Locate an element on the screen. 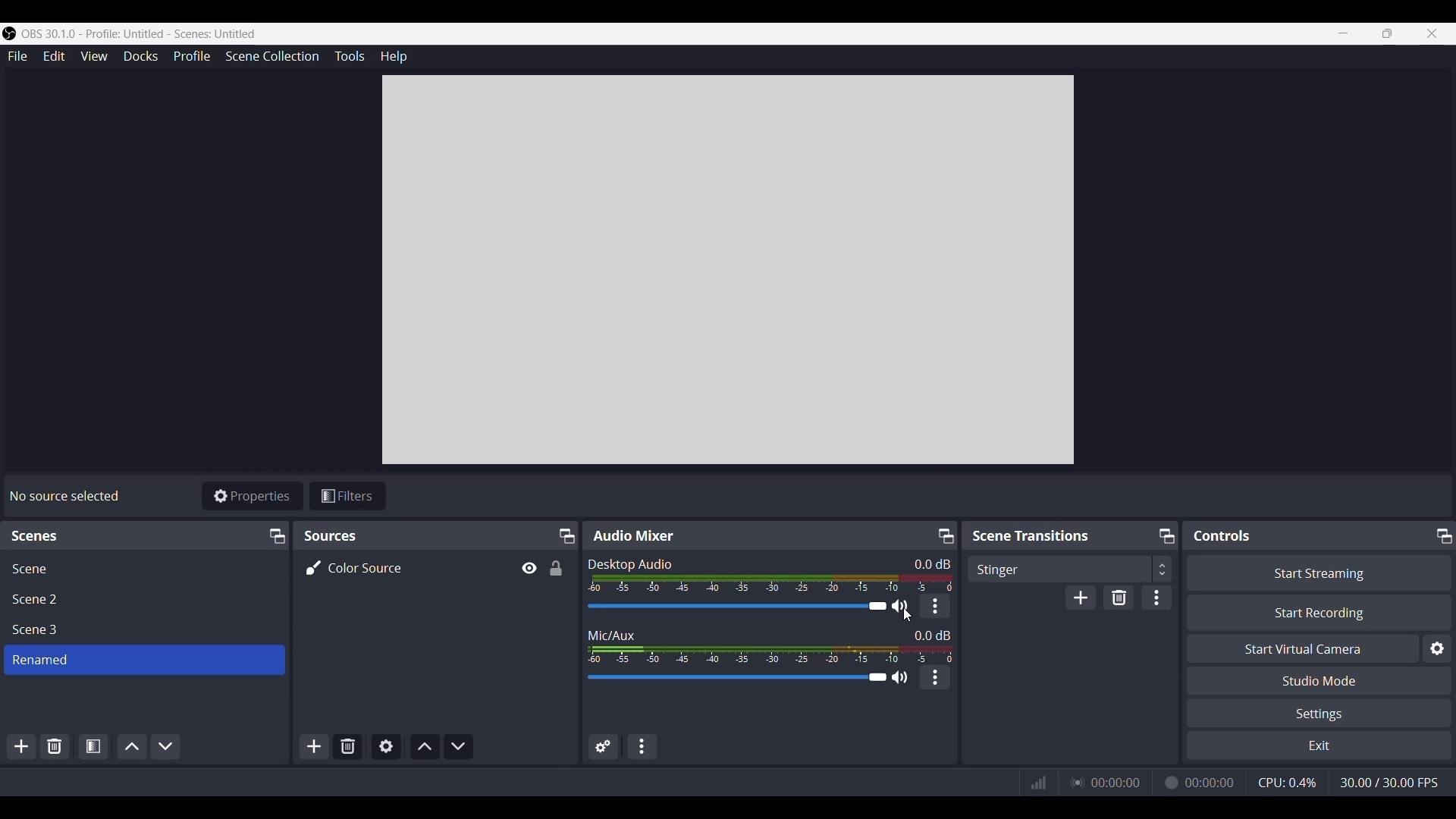 This screenshot has height=819, width=1456. Current source is located at coordinates (355, 567).